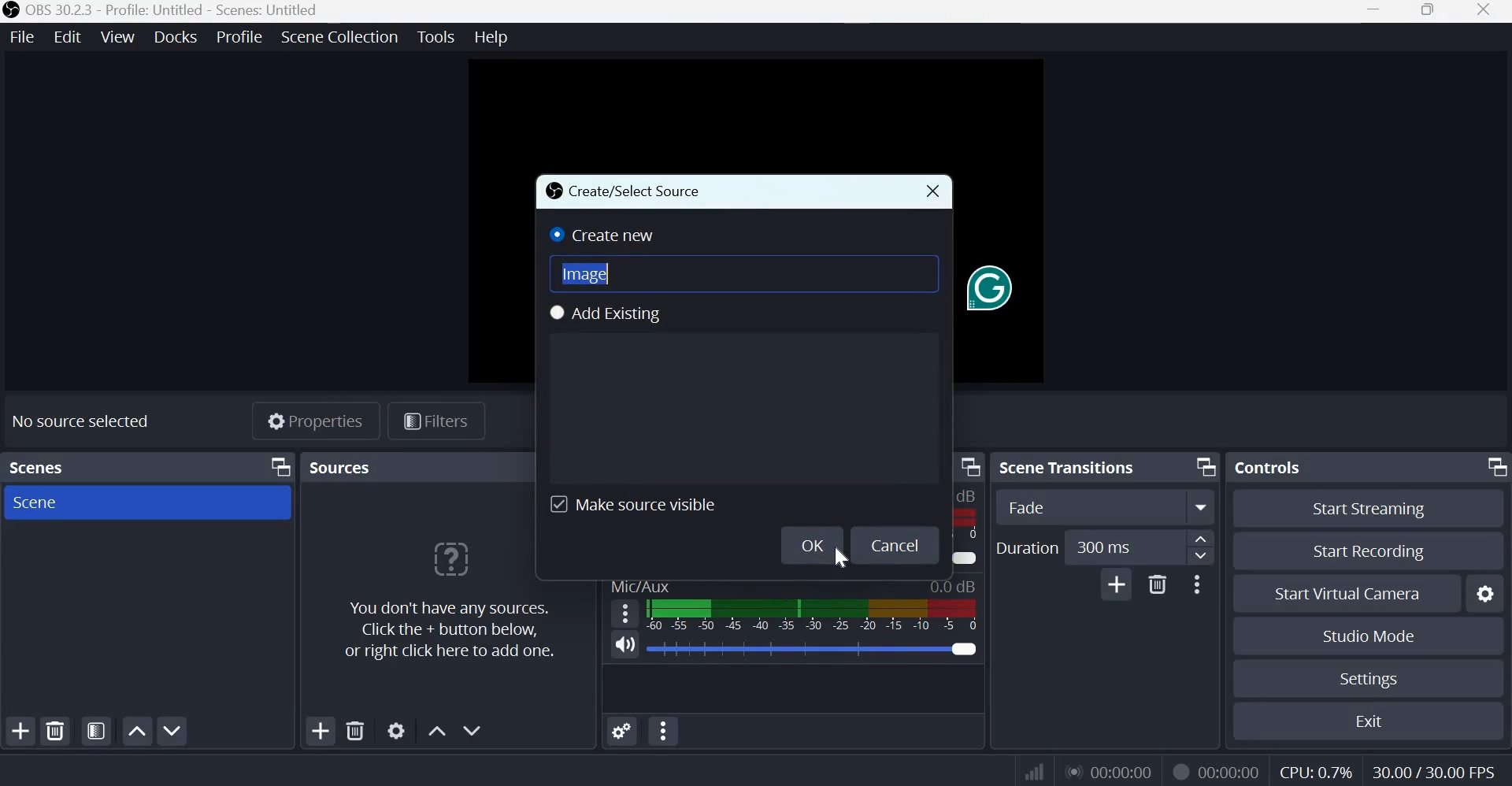 Image resolution: width=1512 pixels, height=786 pixels. Describe the element at coordinates (606, 233) in the screenshot. I see `Create new` at that location.